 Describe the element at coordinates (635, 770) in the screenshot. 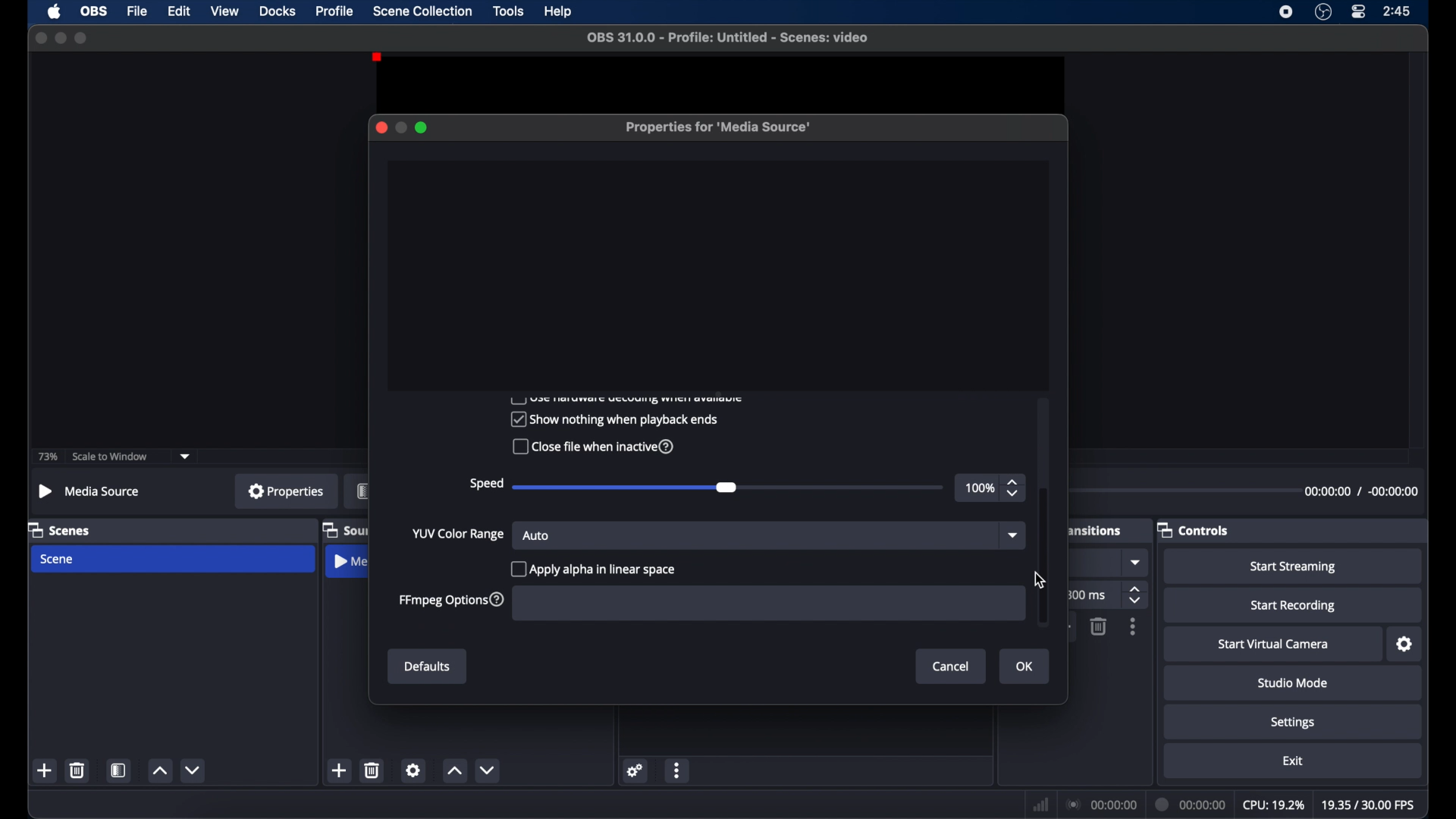

I see `settings` at that location.